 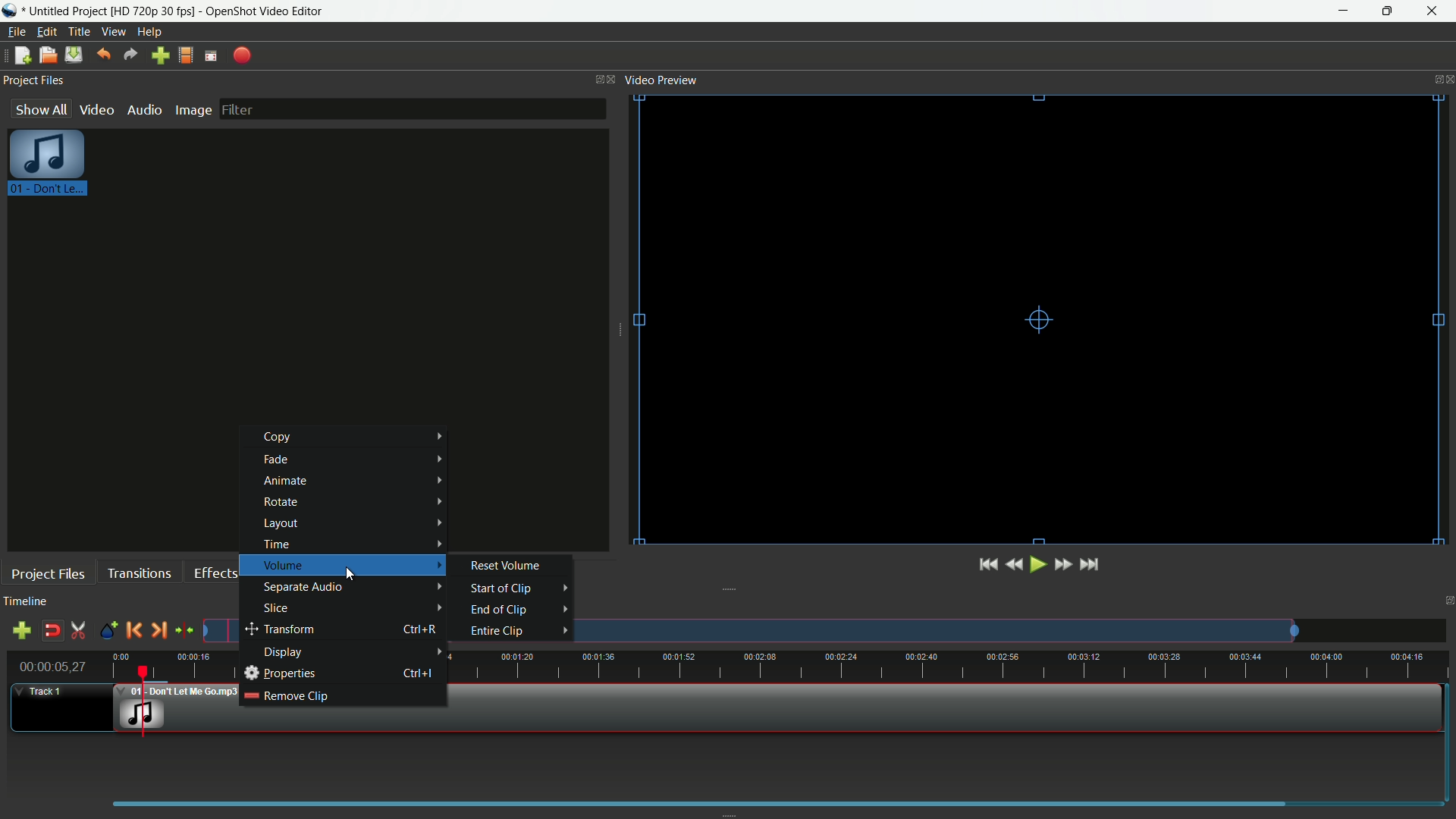 I want to click on quickly play backward, so click(x=1016, y=564).